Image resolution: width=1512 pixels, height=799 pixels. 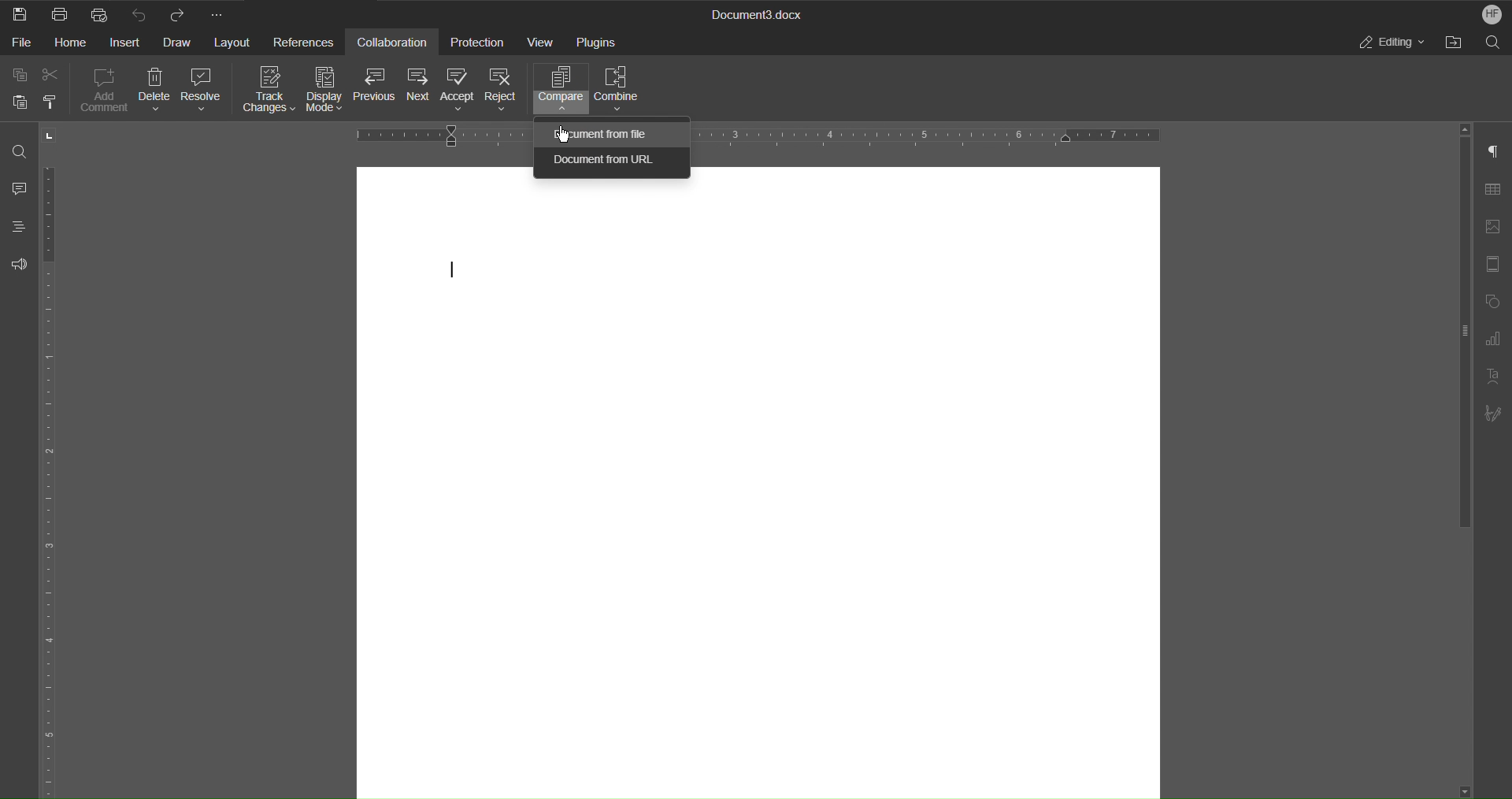 What do you see at coordinates (457, 91) in the screenshot?
I see `Accept` at bounding box center [457, 91].